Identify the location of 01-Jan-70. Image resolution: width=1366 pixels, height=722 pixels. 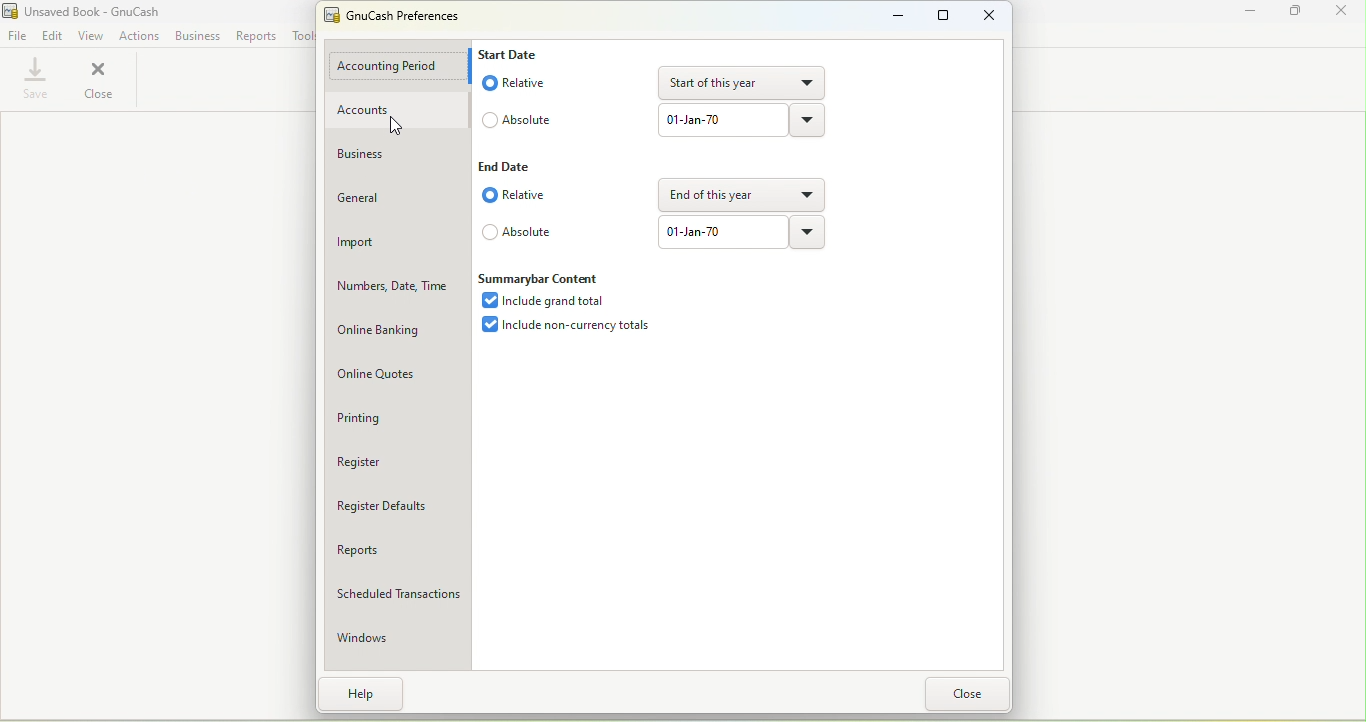
(719, 231).